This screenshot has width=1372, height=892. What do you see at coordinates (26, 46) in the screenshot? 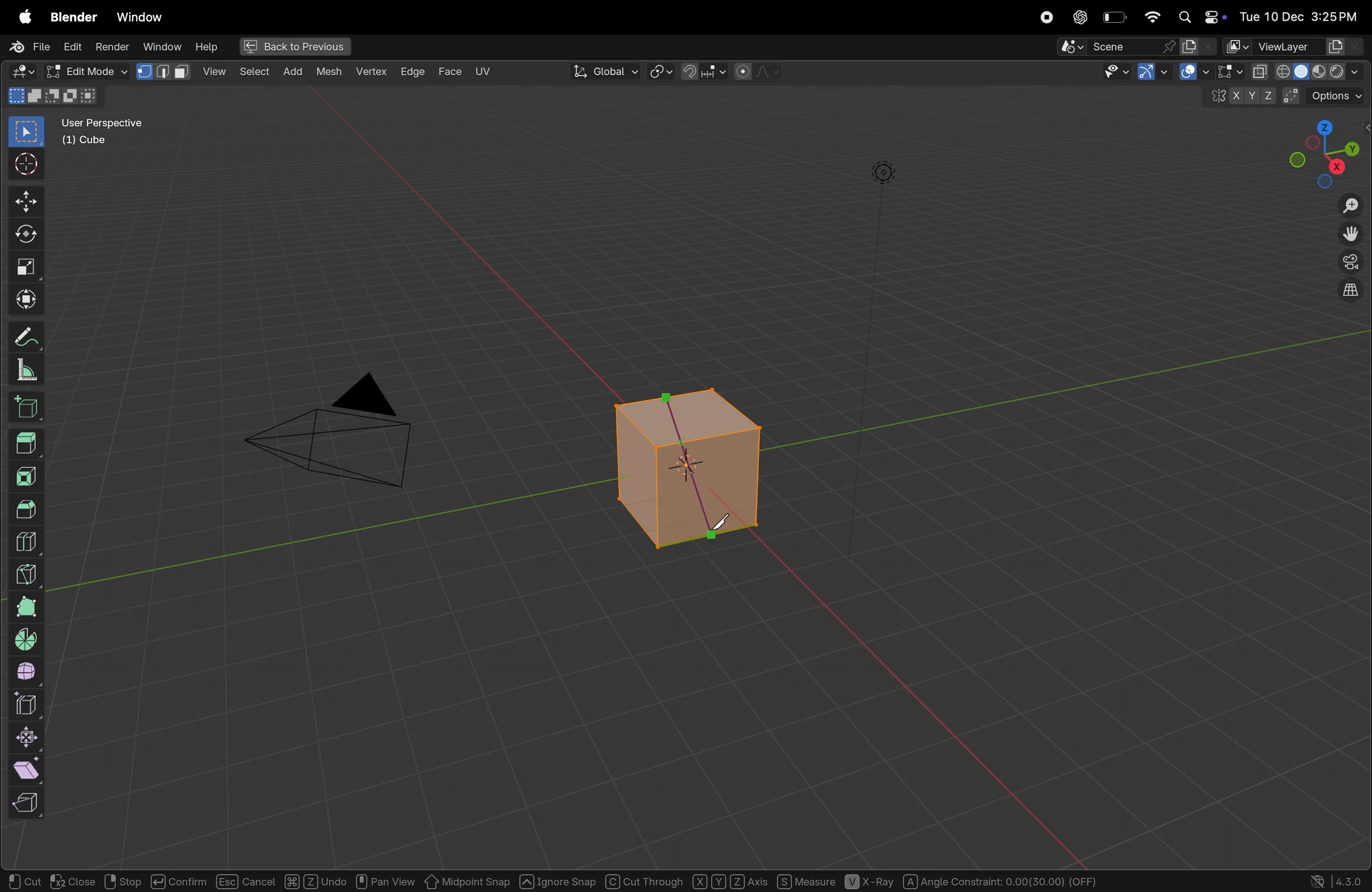
I see `file` at bounding box center [26, 46].